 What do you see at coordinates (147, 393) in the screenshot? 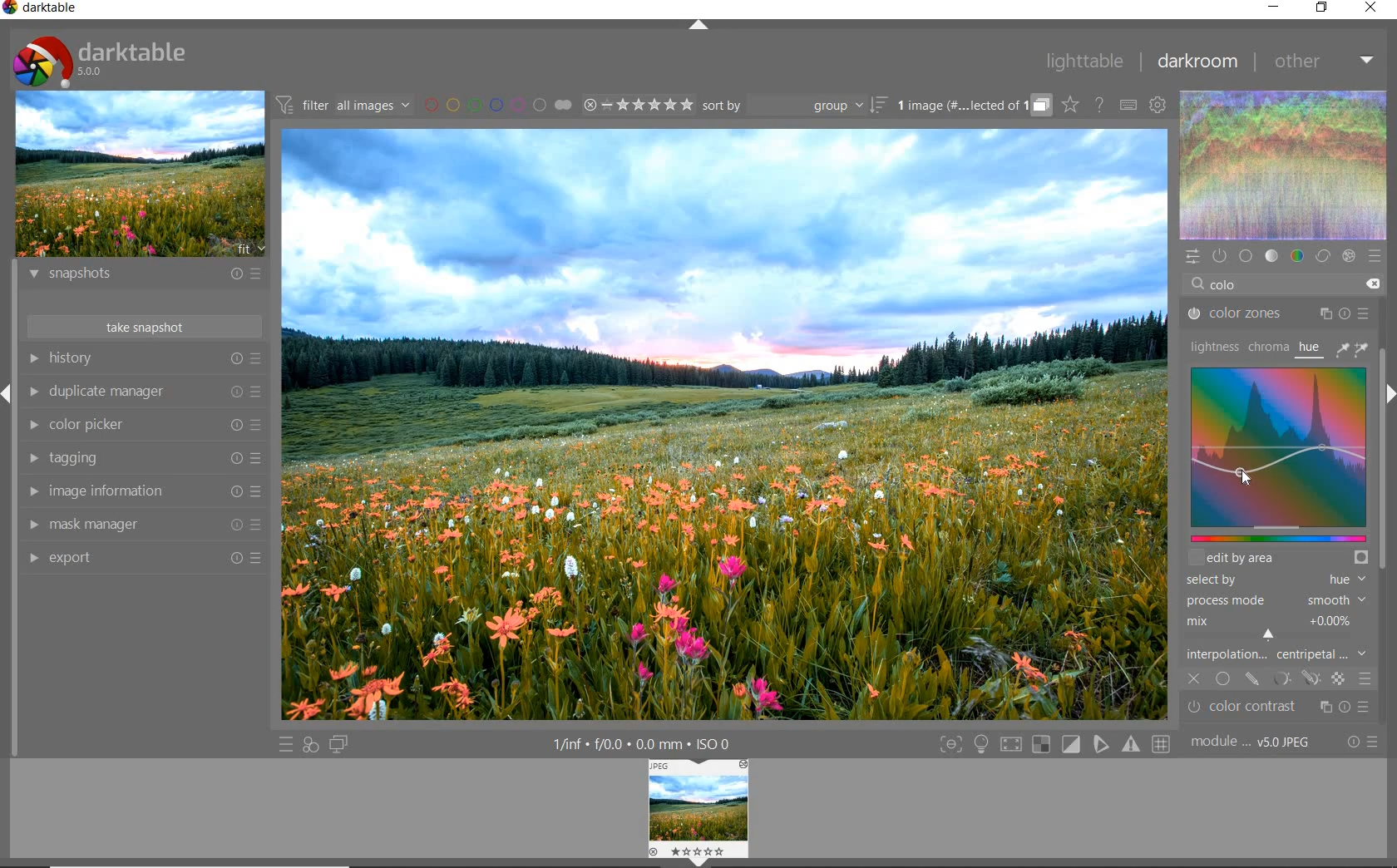
I see `duplicate manager` at bounding box center [147, 393].